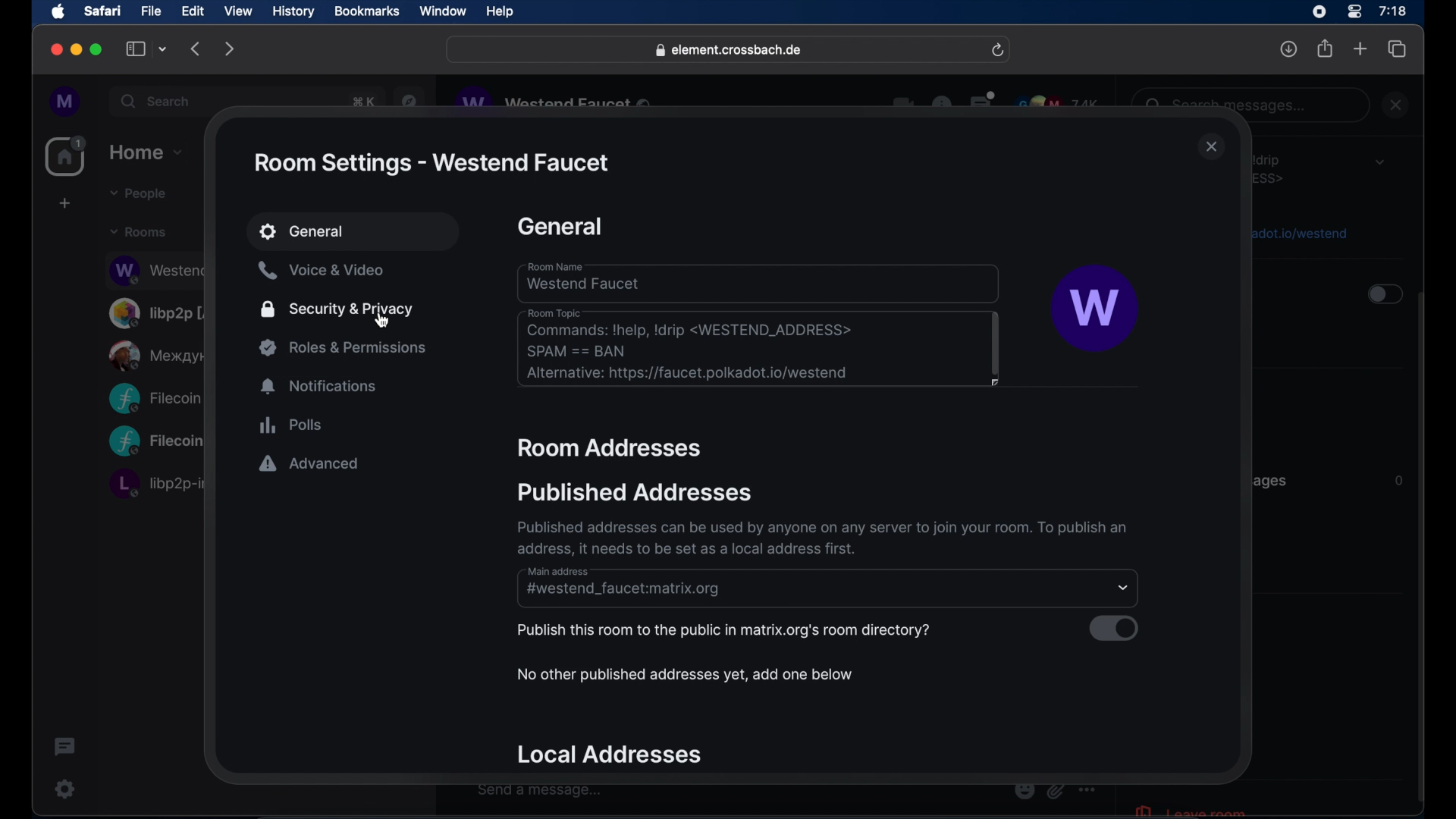 This screenshot has height=819, width=1456. Describe the element at coordinates (140, 194) in the screenshot. I see `` at that location.